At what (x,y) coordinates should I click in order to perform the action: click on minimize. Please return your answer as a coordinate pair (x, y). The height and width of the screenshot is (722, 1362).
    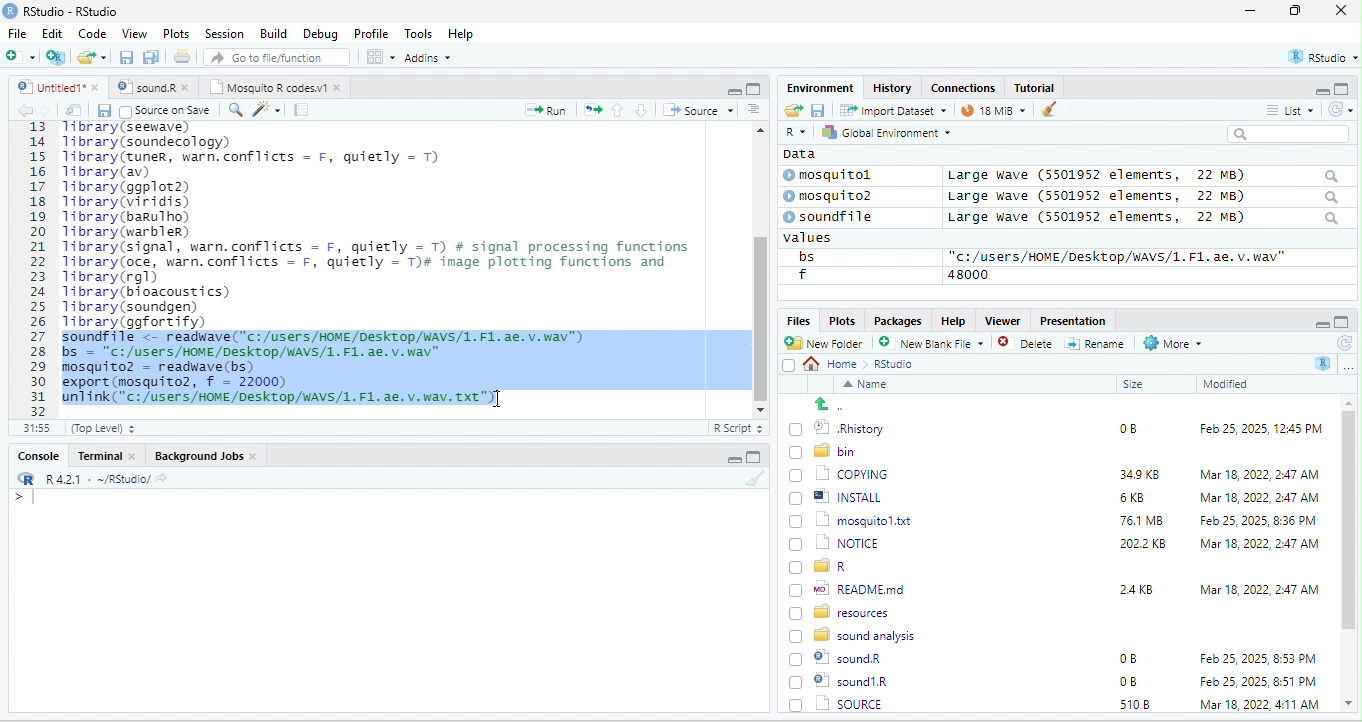
    Looking at the image, I should click on (1320, 323).